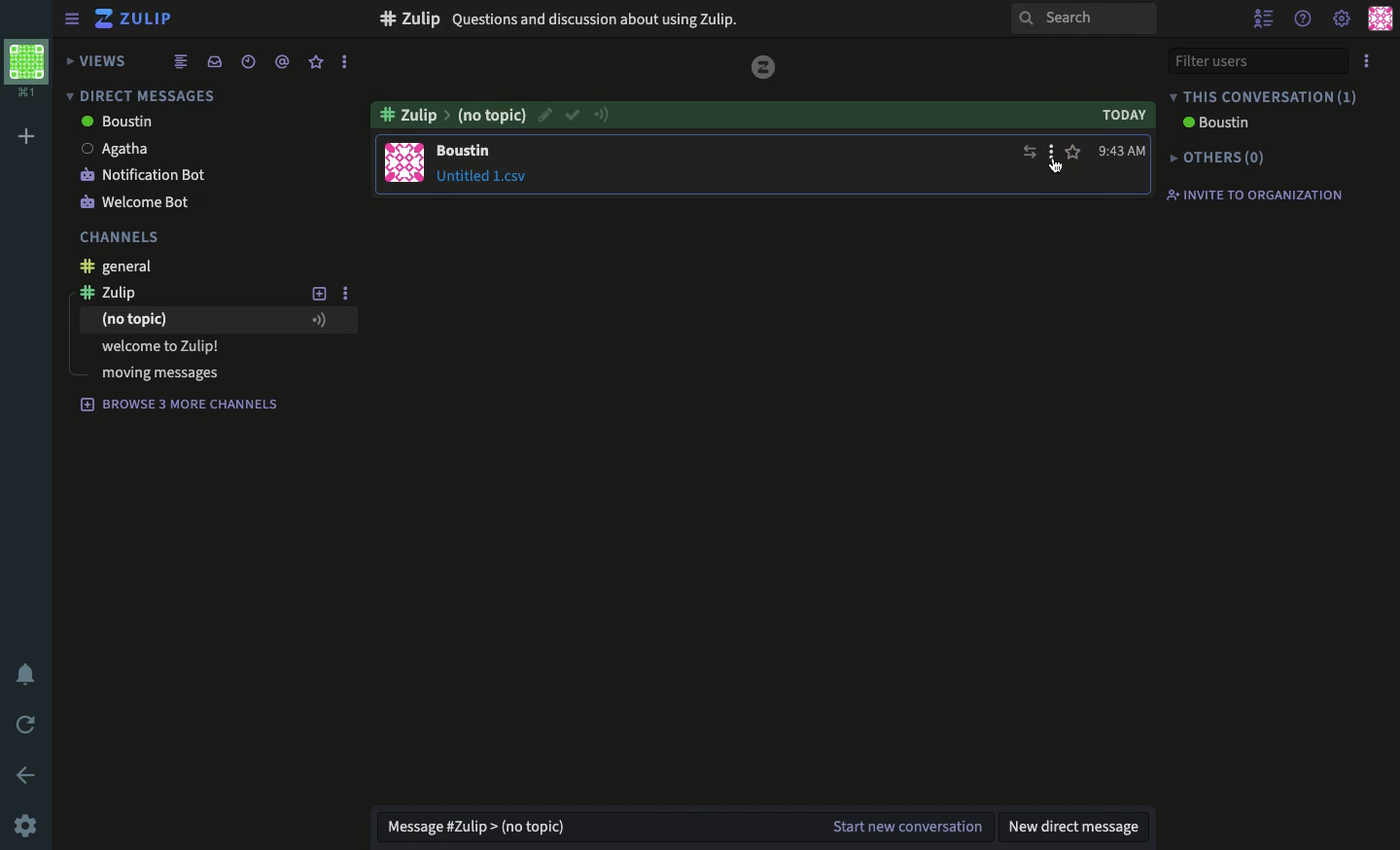  What do you see at coordinates (25, 672) in the screenshot?
I see `notification` at bounding box center [25, 672].